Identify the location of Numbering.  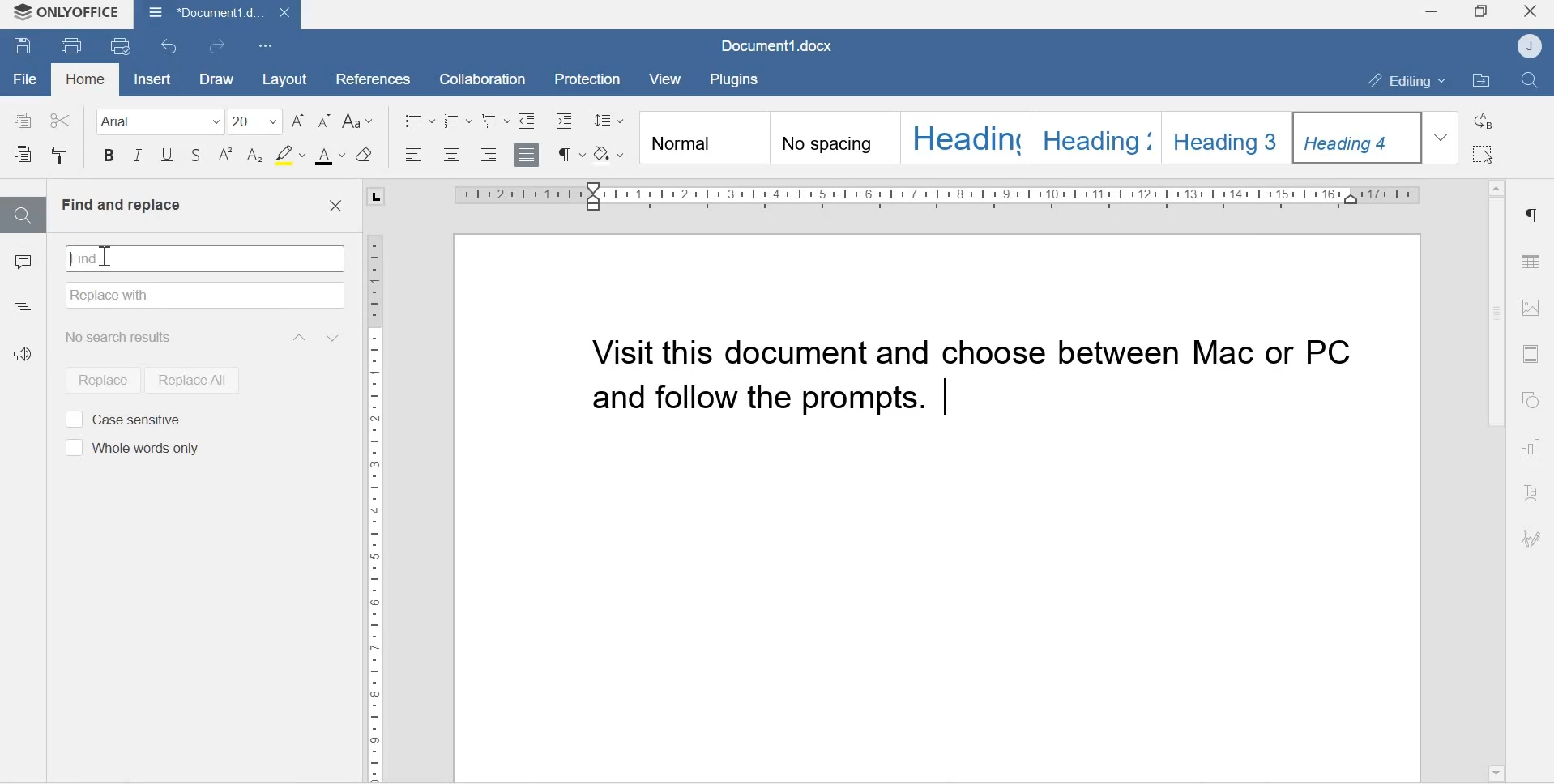
(459, 120).